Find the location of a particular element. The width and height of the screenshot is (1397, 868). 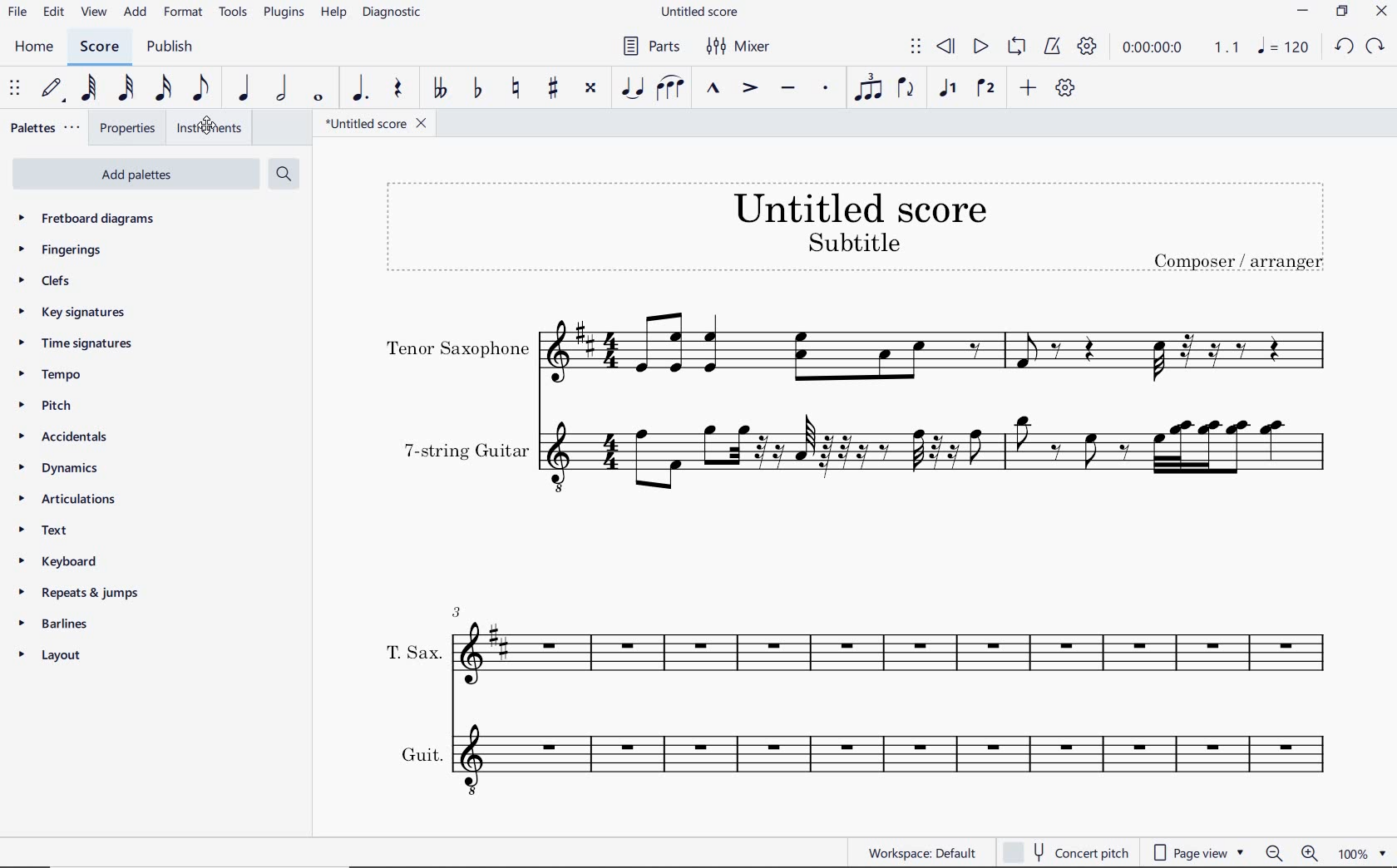

BARLINES is located at coordinates (54, 623).